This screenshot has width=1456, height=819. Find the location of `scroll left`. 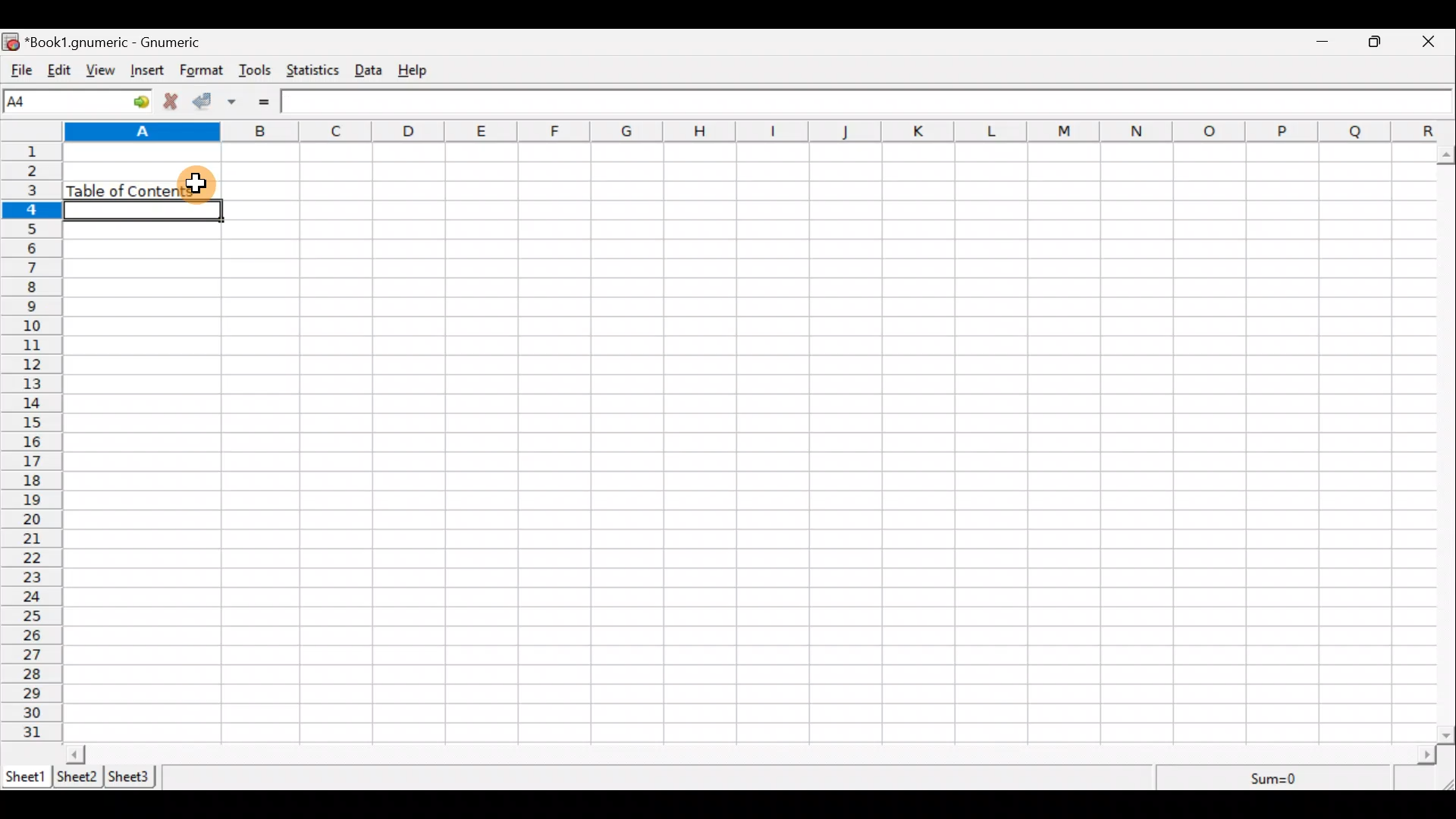

scroll left is located at coordinates (75, 754).